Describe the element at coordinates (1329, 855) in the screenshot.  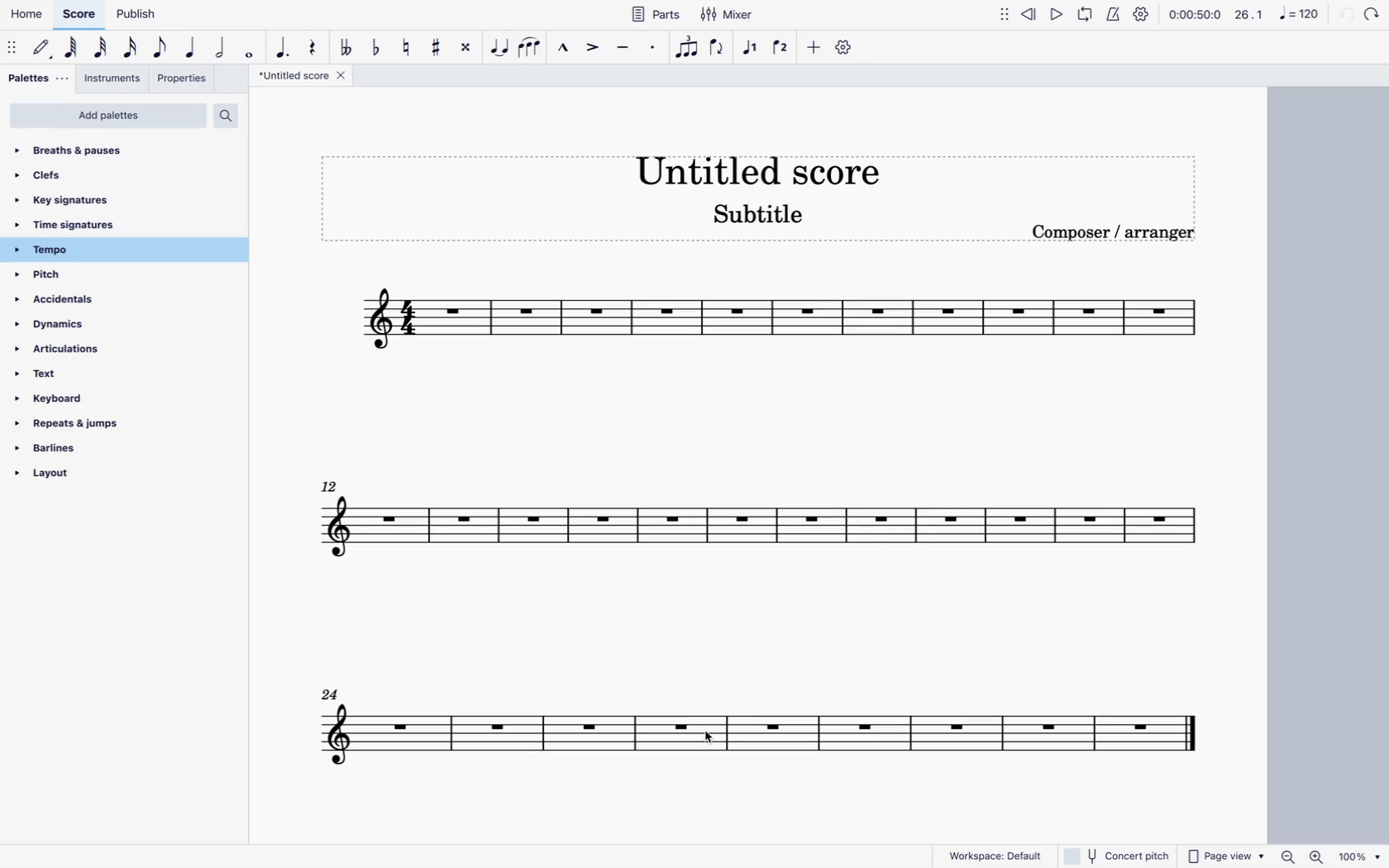
I see `zoom` at that location.